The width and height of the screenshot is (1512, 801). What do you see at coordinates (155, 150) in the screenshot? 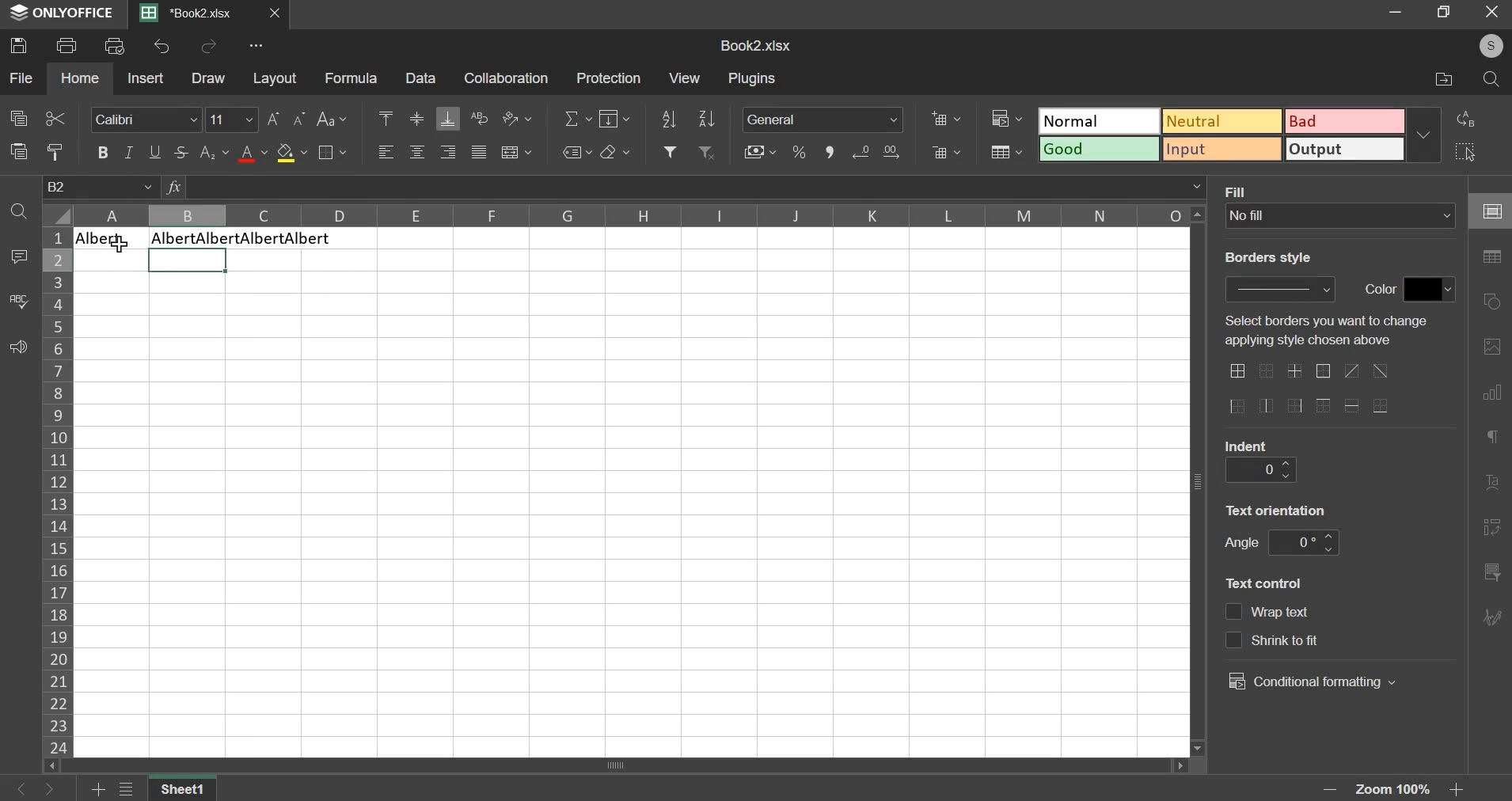
I see `underline` at bounding box center [155, 150].